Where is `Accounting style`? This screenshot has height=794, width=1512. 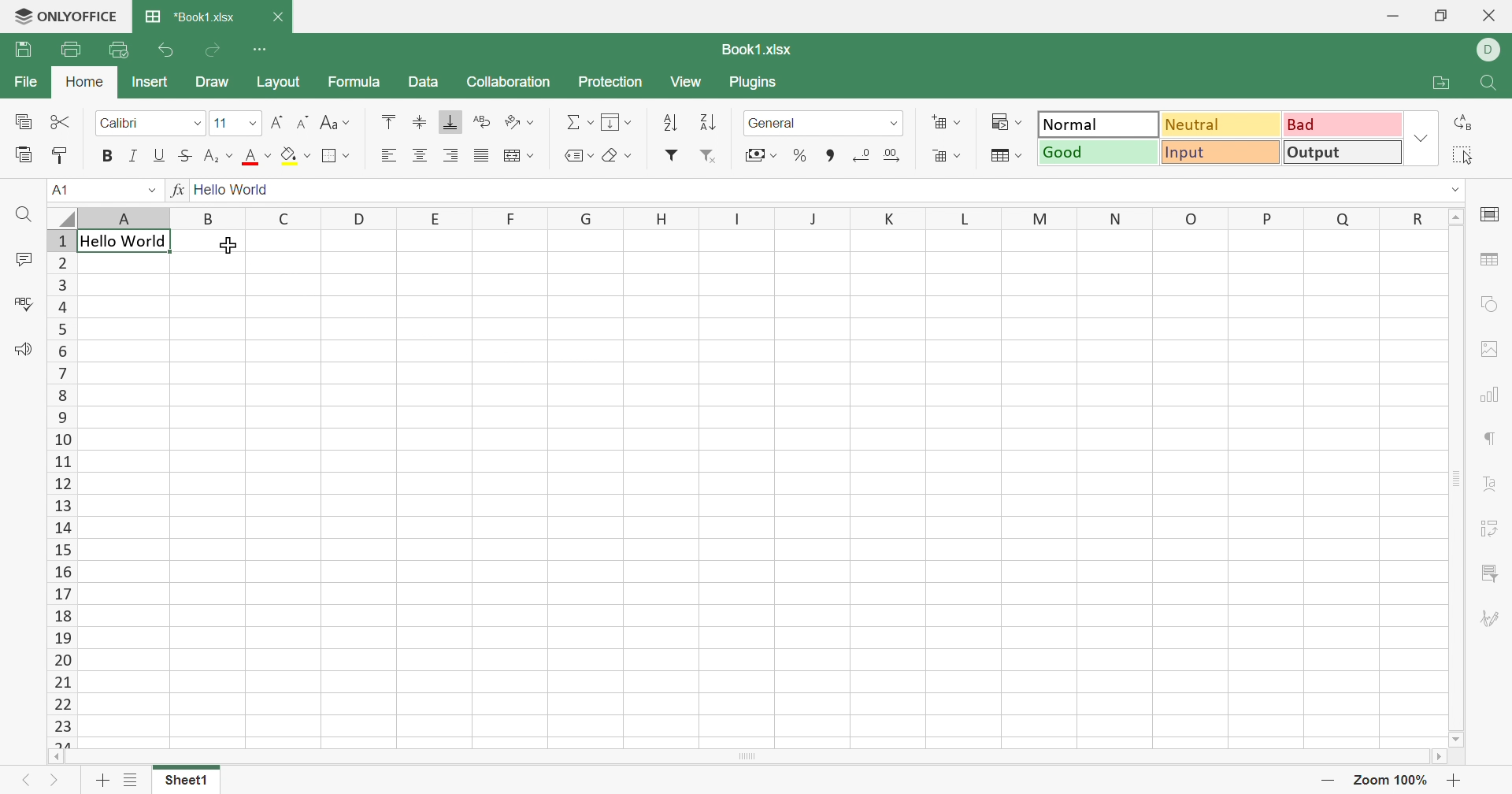
Accounting style is located at coordinates (760, 154).